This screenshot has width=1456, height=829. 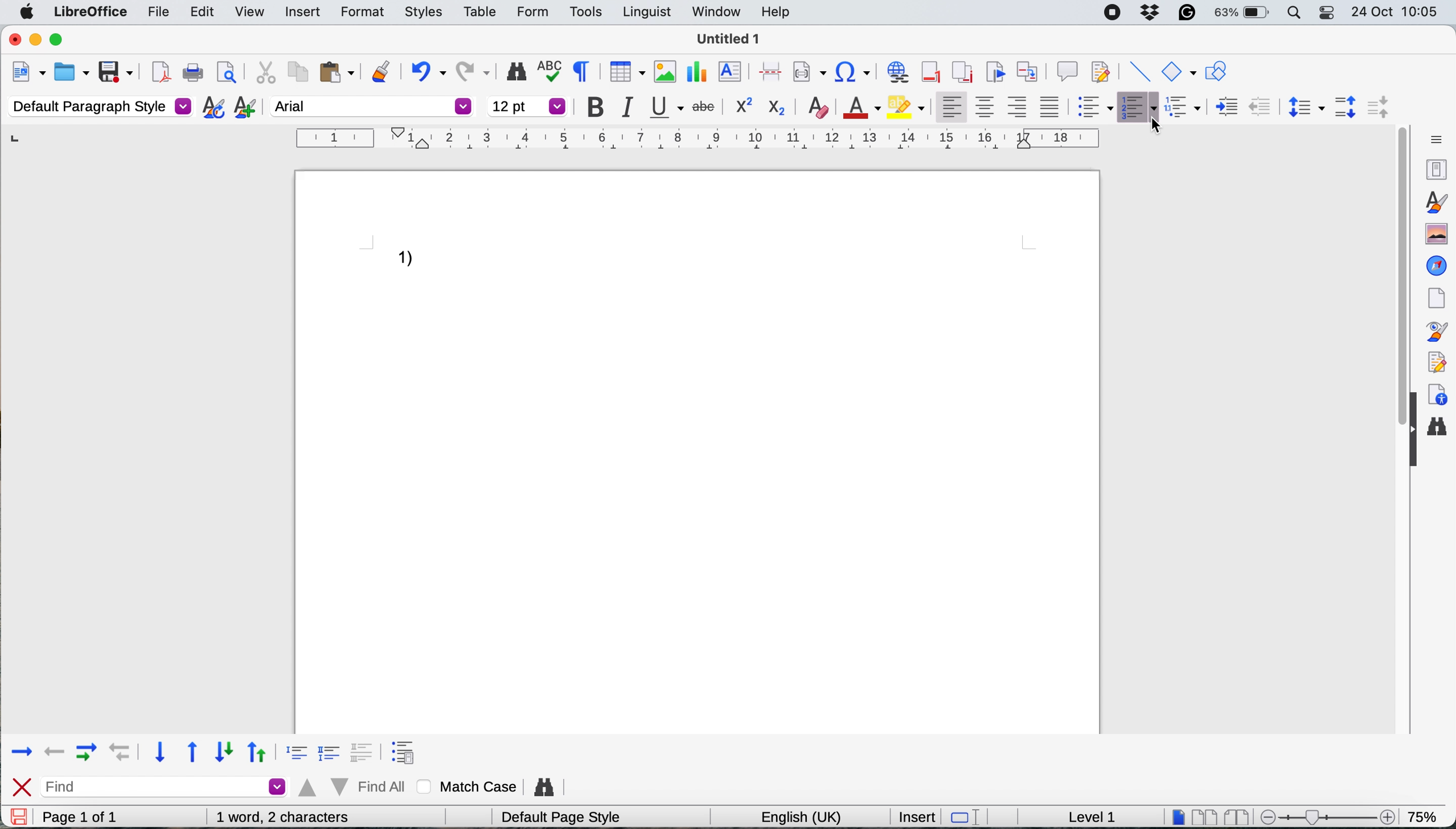 I want to click on 0 words, 0 characters, so click(x=297, y=816).